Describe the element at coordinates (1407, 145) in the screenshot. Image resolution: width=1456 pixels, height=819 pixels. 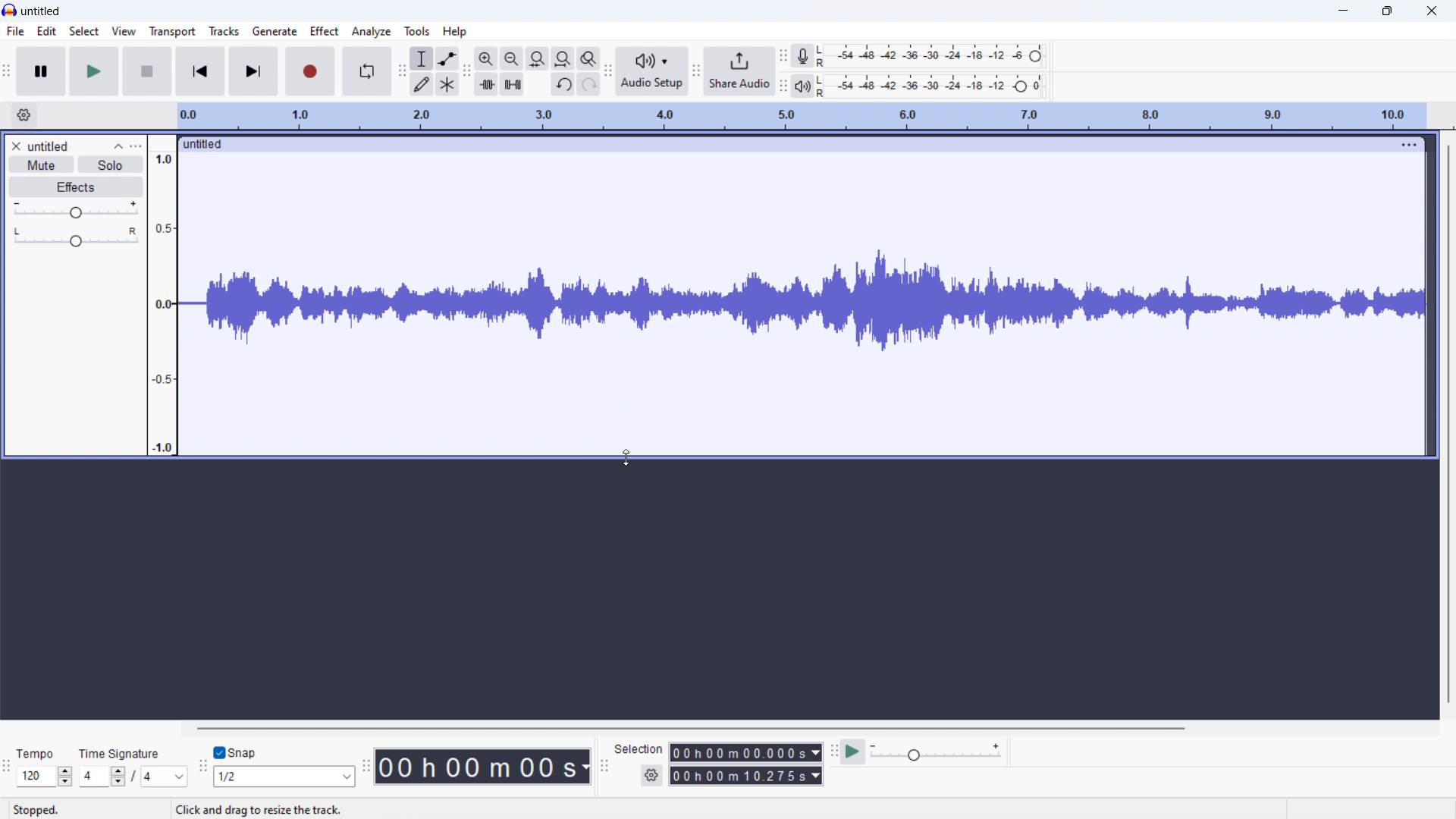
I see `track options` at that location.